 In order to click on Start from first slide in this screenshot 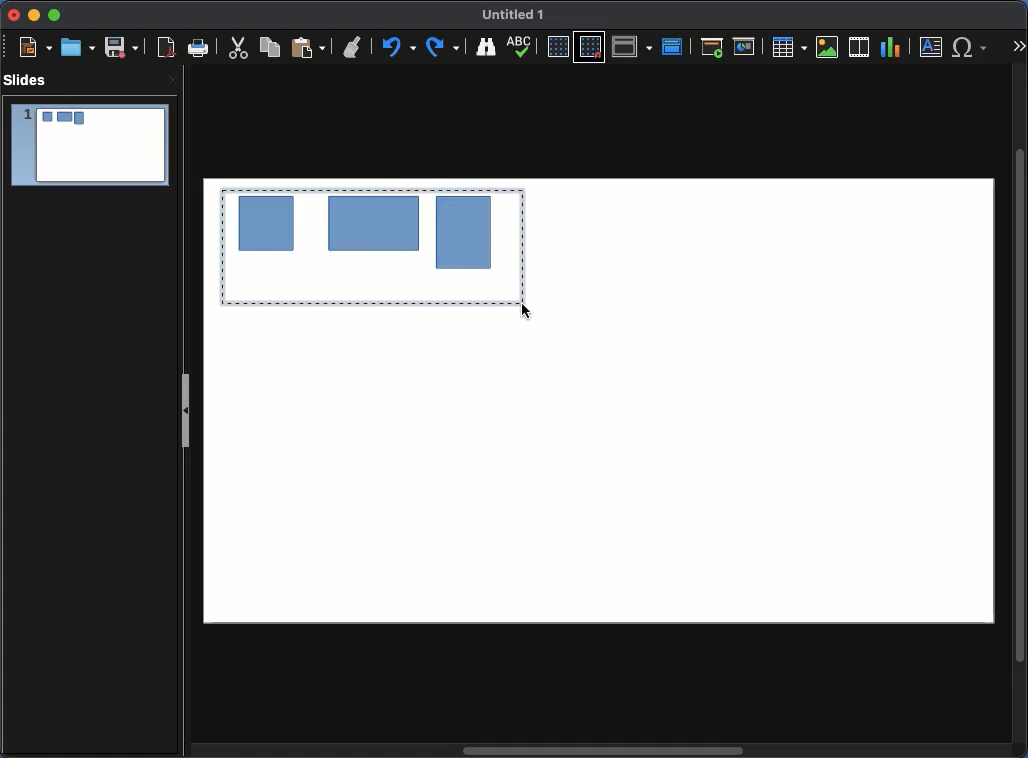, I will do `click(712, 47)`.